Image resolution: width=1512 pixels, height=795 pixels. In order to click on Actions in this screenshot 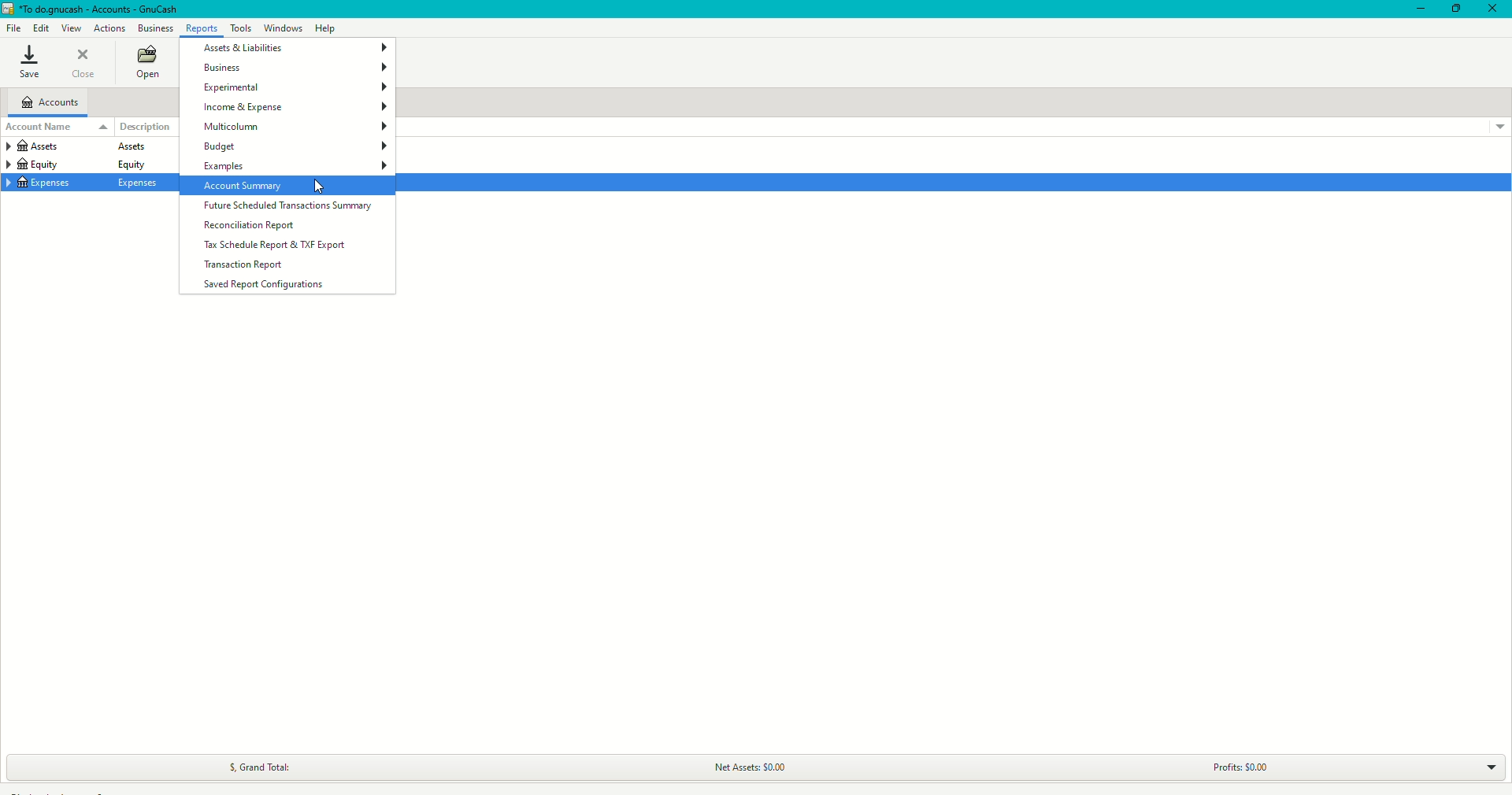, I will do `click(111, 28)`.